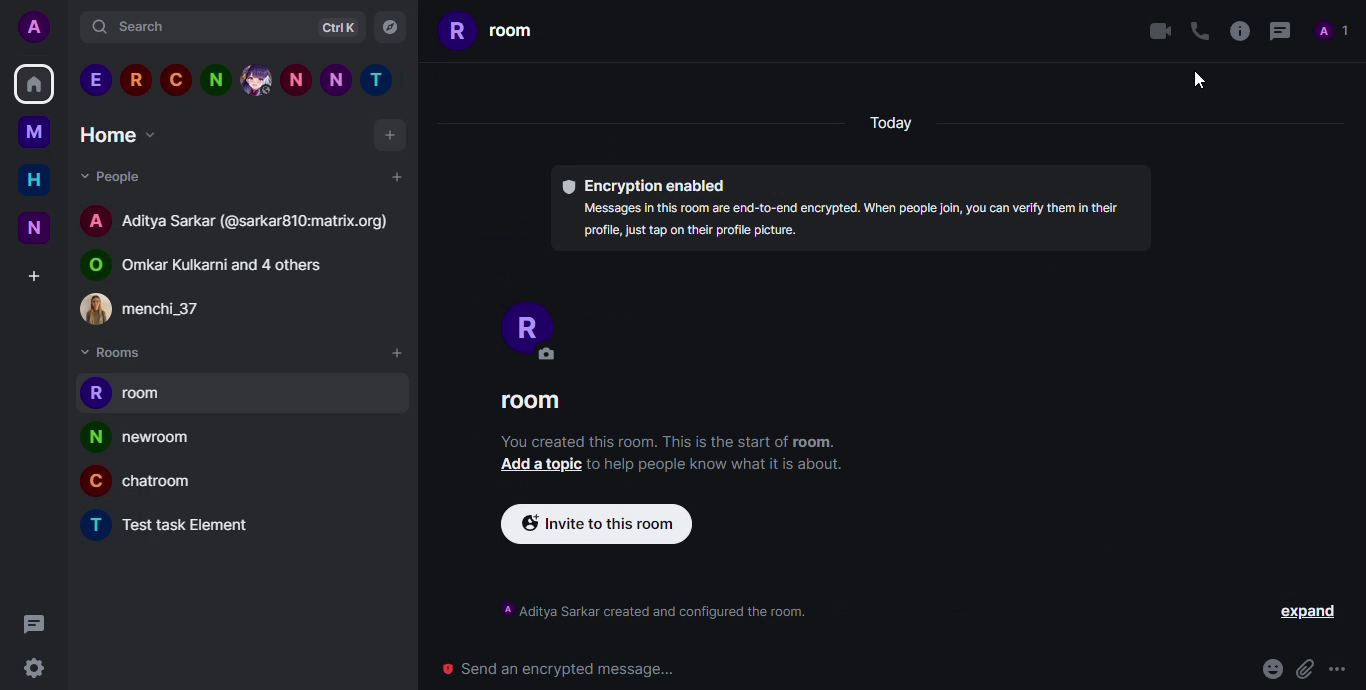 The height and width of the screenshot is (690, 1366). Describe the element at coordinates (643, 186) in the screenshot. I see `encryption enabled` at that location.